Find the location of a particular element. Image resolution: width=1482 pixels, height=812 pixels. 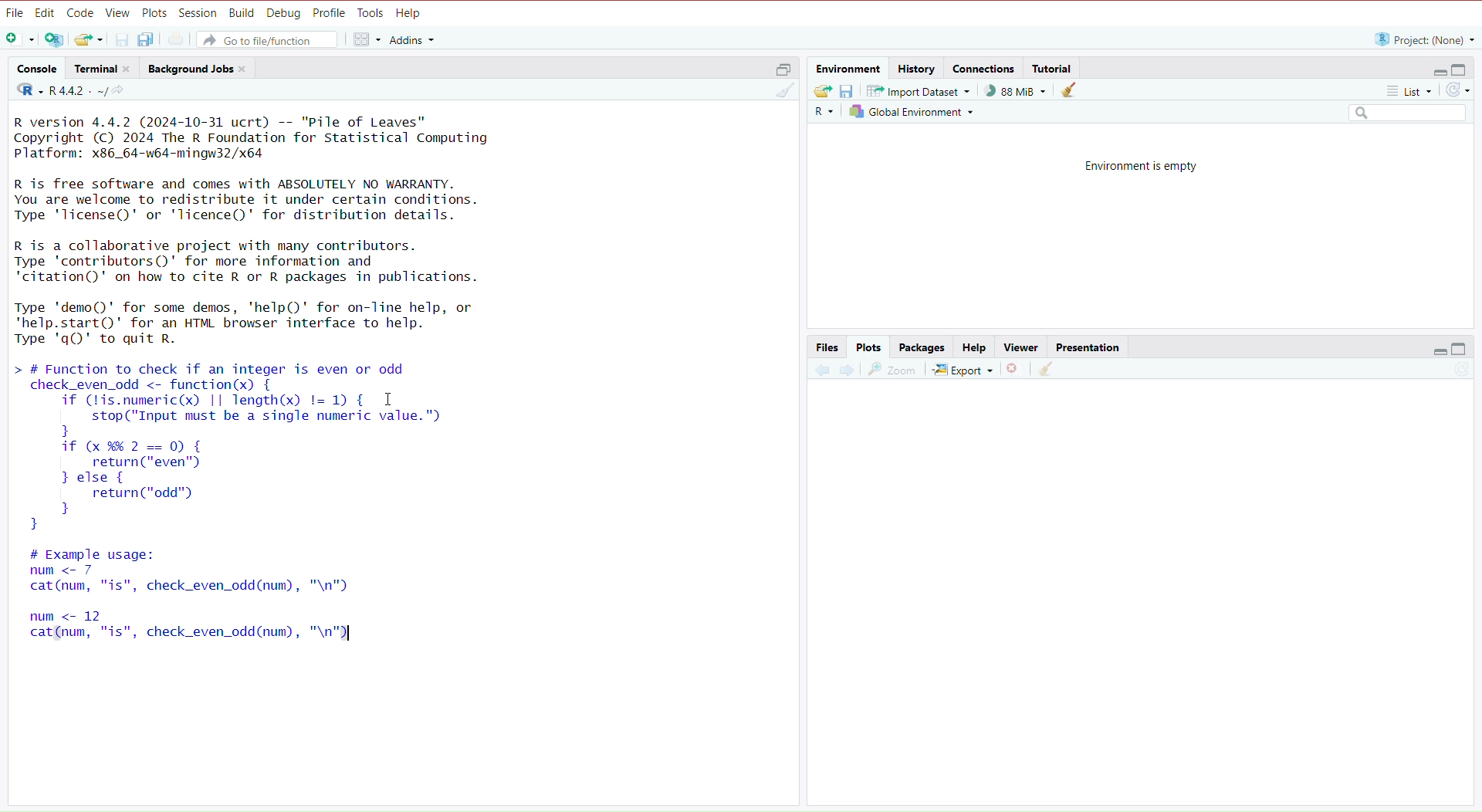

refresh current plot is located at coordinates (1453, 373).